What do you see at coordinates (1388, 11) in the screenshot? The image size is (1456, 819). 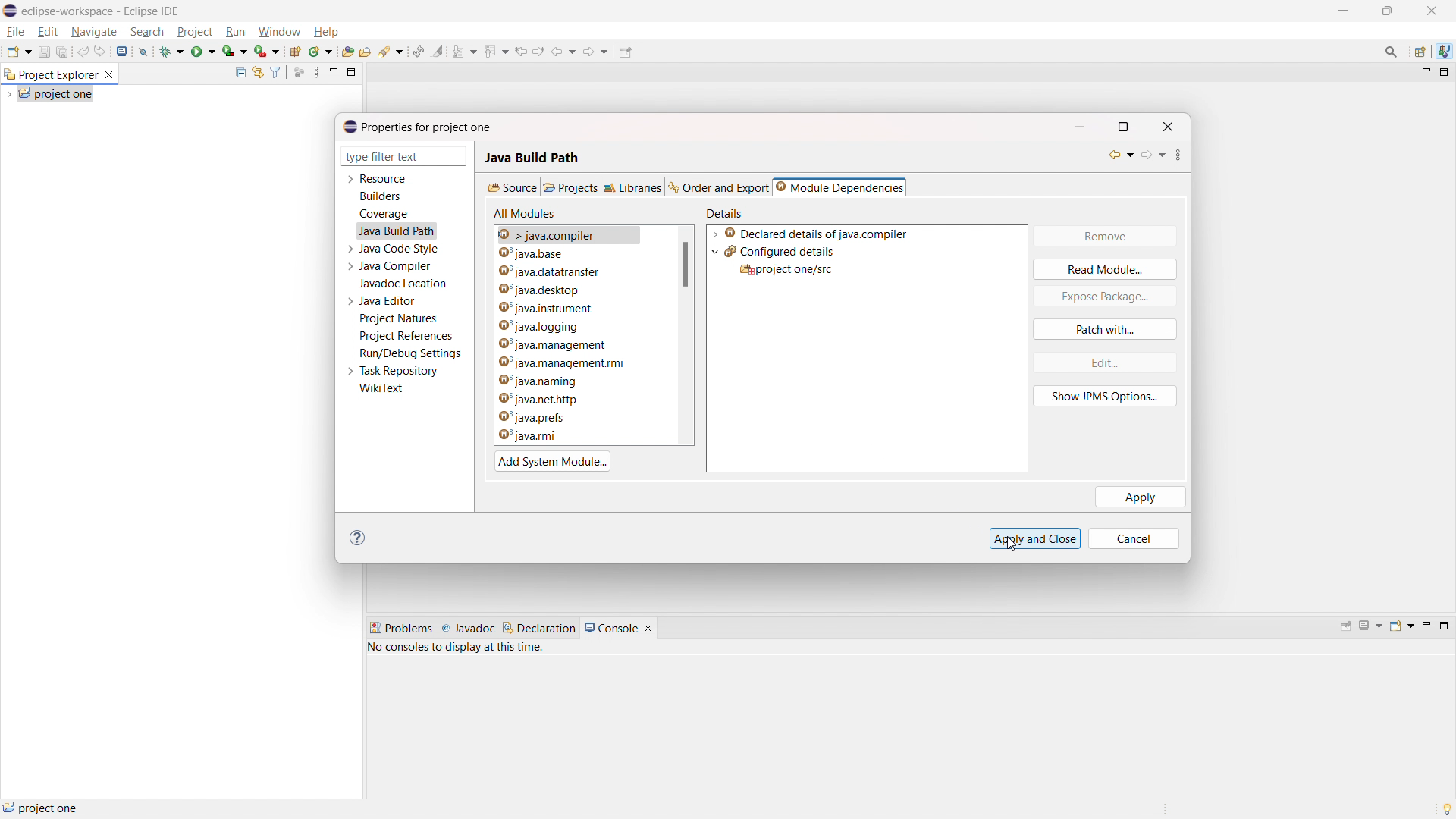 I see `minimize` at bounding box center [1388, 11].